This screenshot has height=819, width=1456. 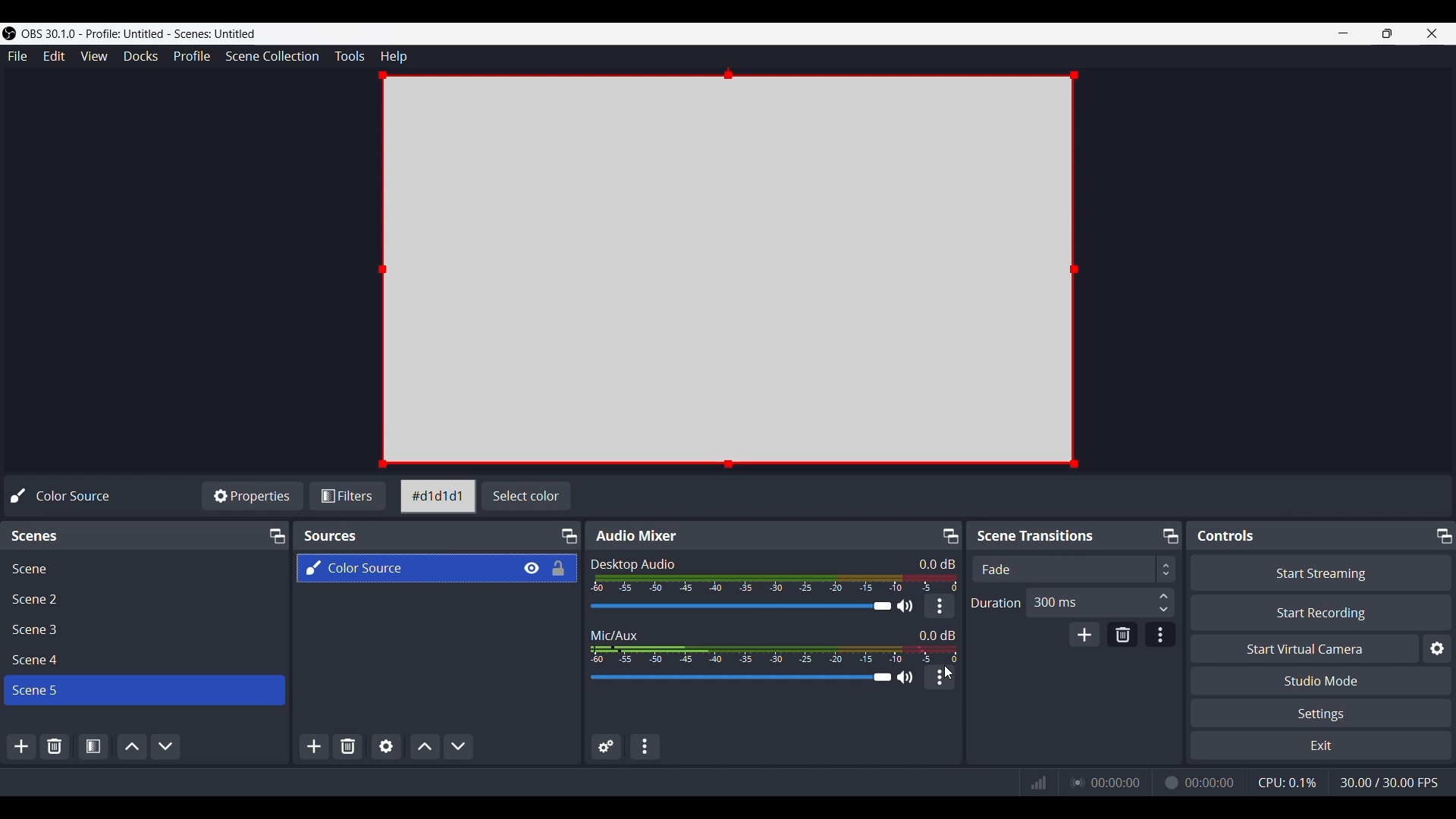 What do you see at coordinates (1436, 647) in the screenshot?
I see `Settings` at bounding box center [1436, 647].